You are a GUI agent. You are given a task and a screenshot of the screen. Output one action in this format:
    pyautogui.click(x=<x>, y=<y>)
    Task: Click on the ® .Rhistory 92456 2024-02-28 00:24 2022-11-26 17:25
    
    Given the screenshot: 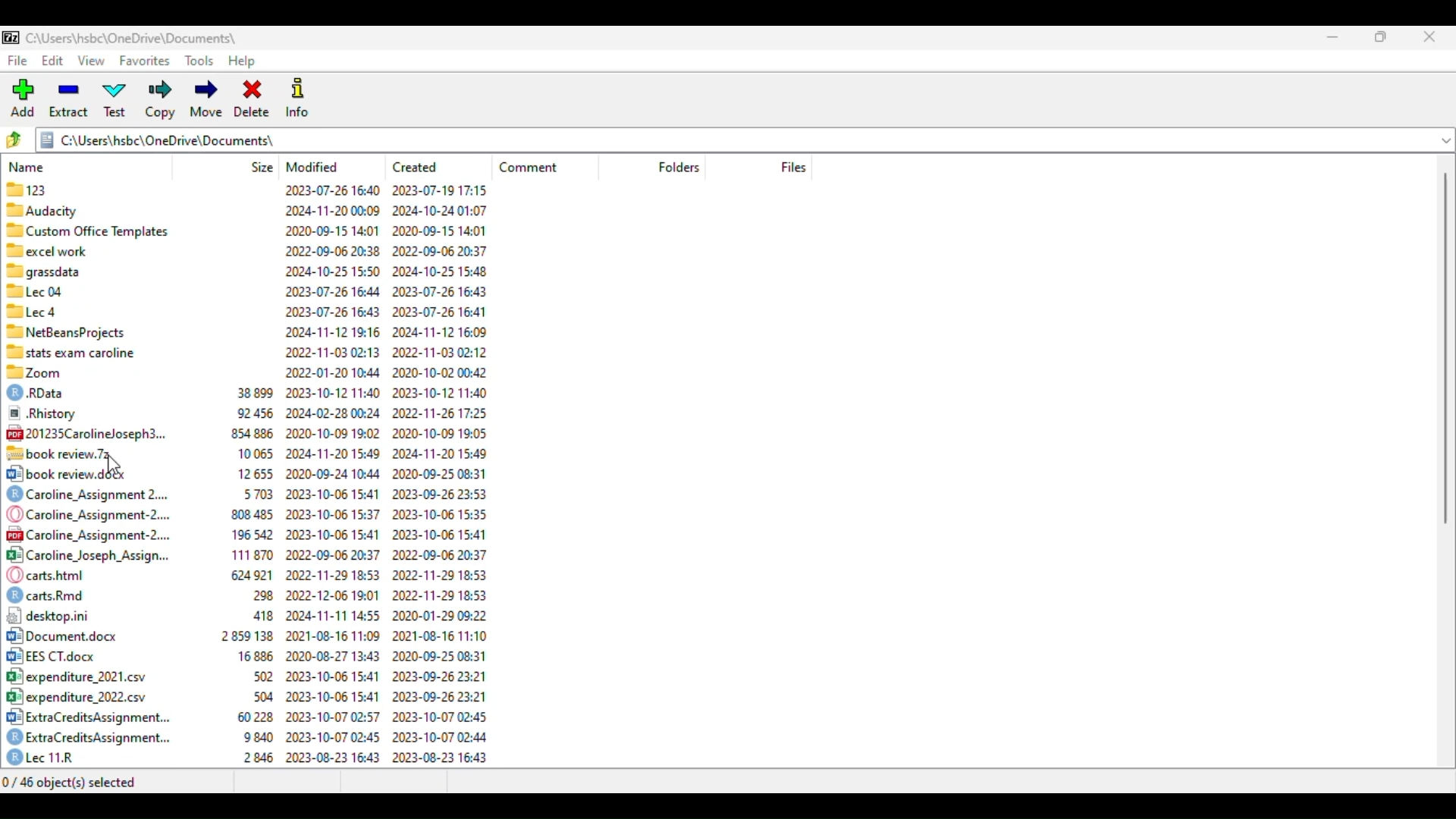 What is the action you would take?
    pyautogui.click(x=246, y=412)
    